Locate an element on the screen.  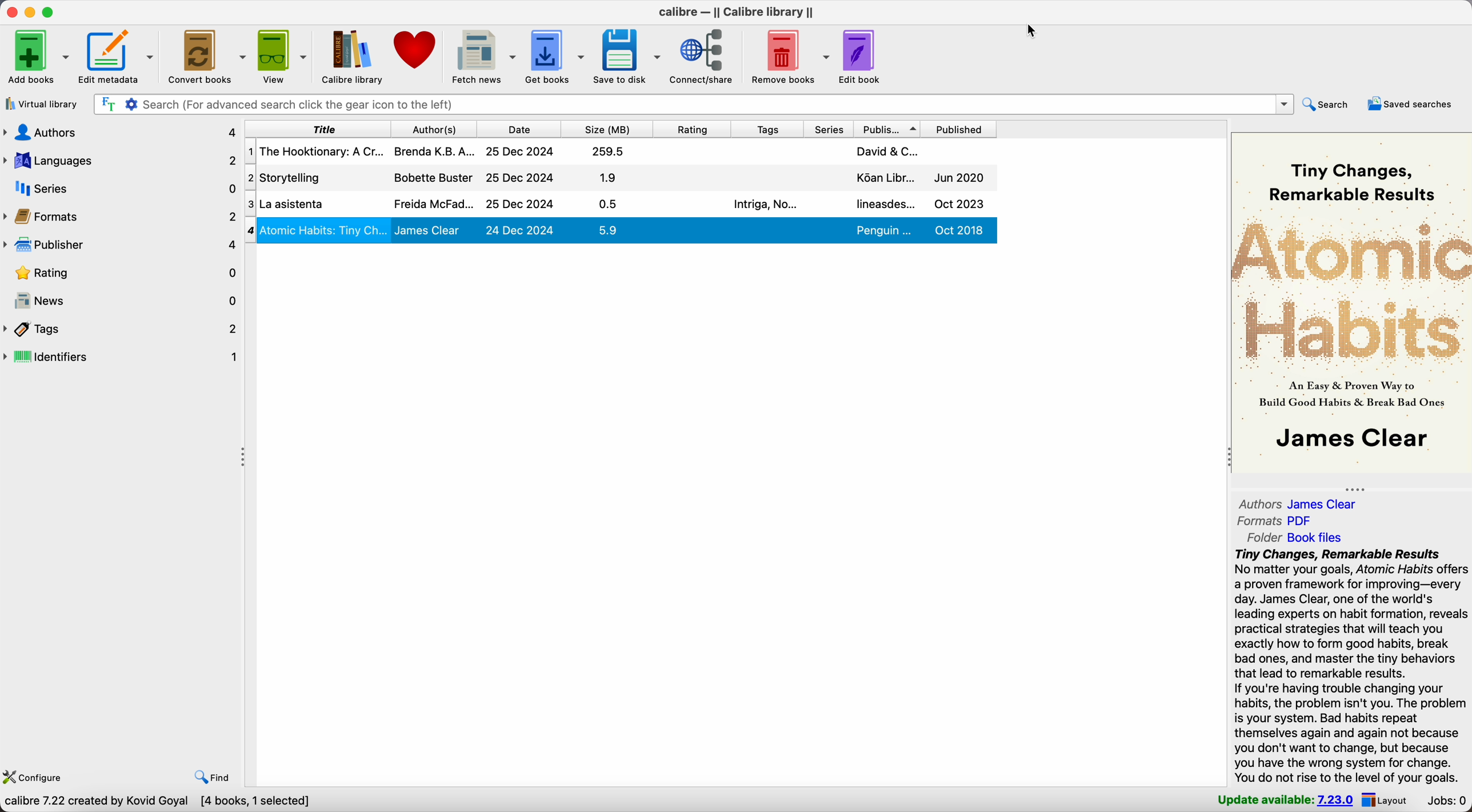
toggle expand/contract is located at coordinates (1354, 489).